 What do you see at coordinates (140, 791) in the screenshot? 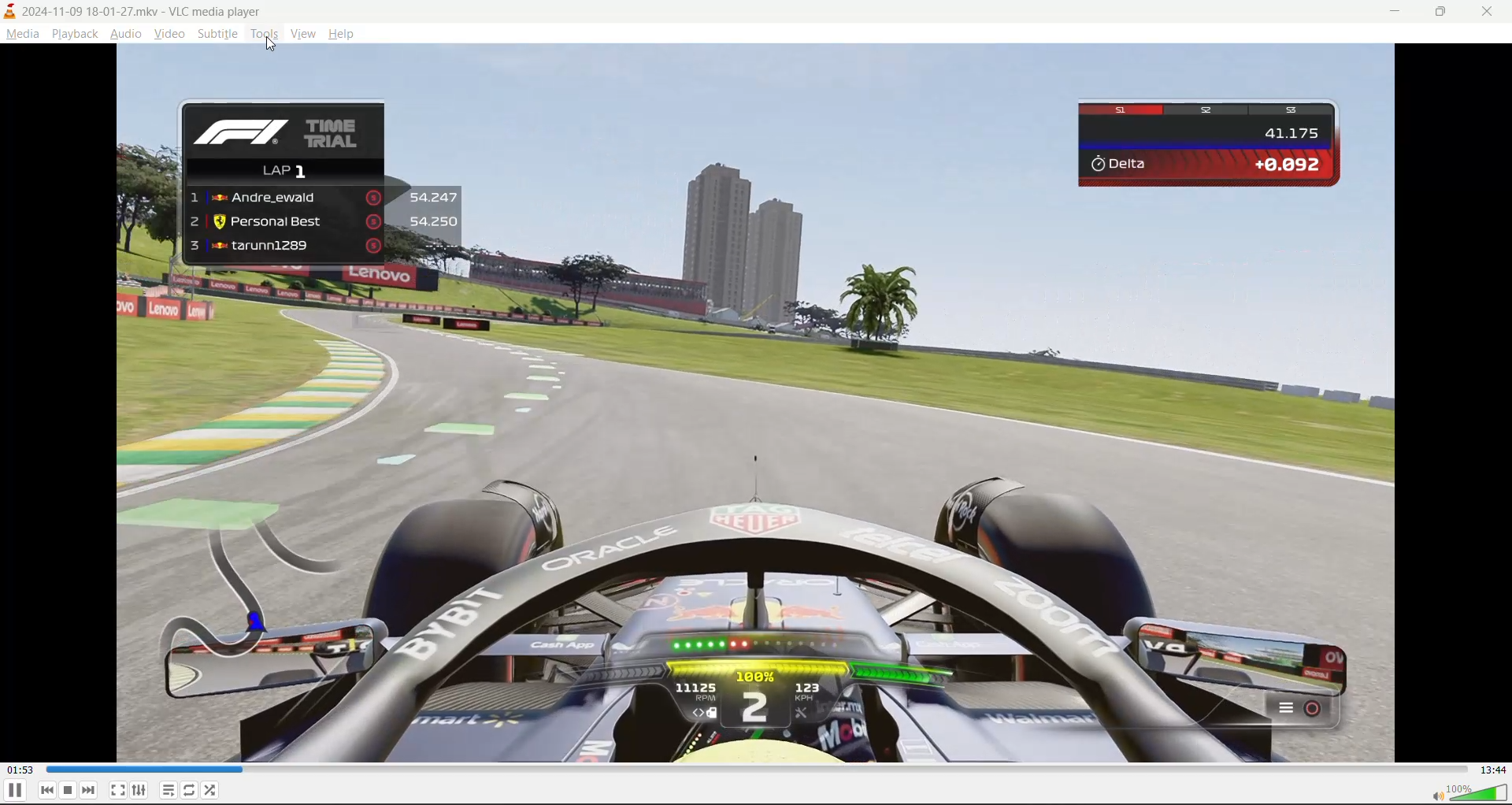
I see `settings` at bounding box center [140, 791].